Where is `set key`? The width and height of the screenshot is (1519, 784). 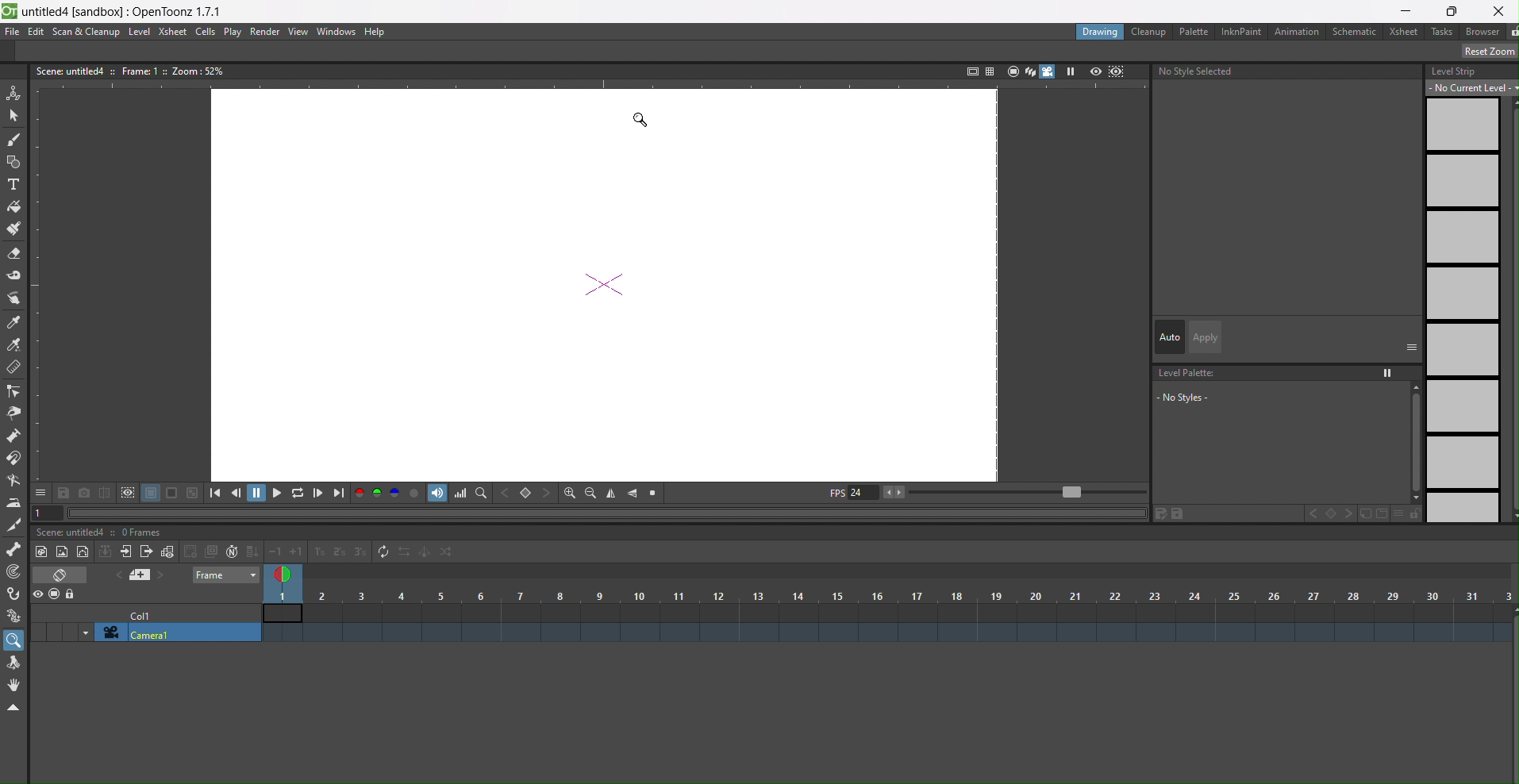 set key is located at coordinates (526, 492).